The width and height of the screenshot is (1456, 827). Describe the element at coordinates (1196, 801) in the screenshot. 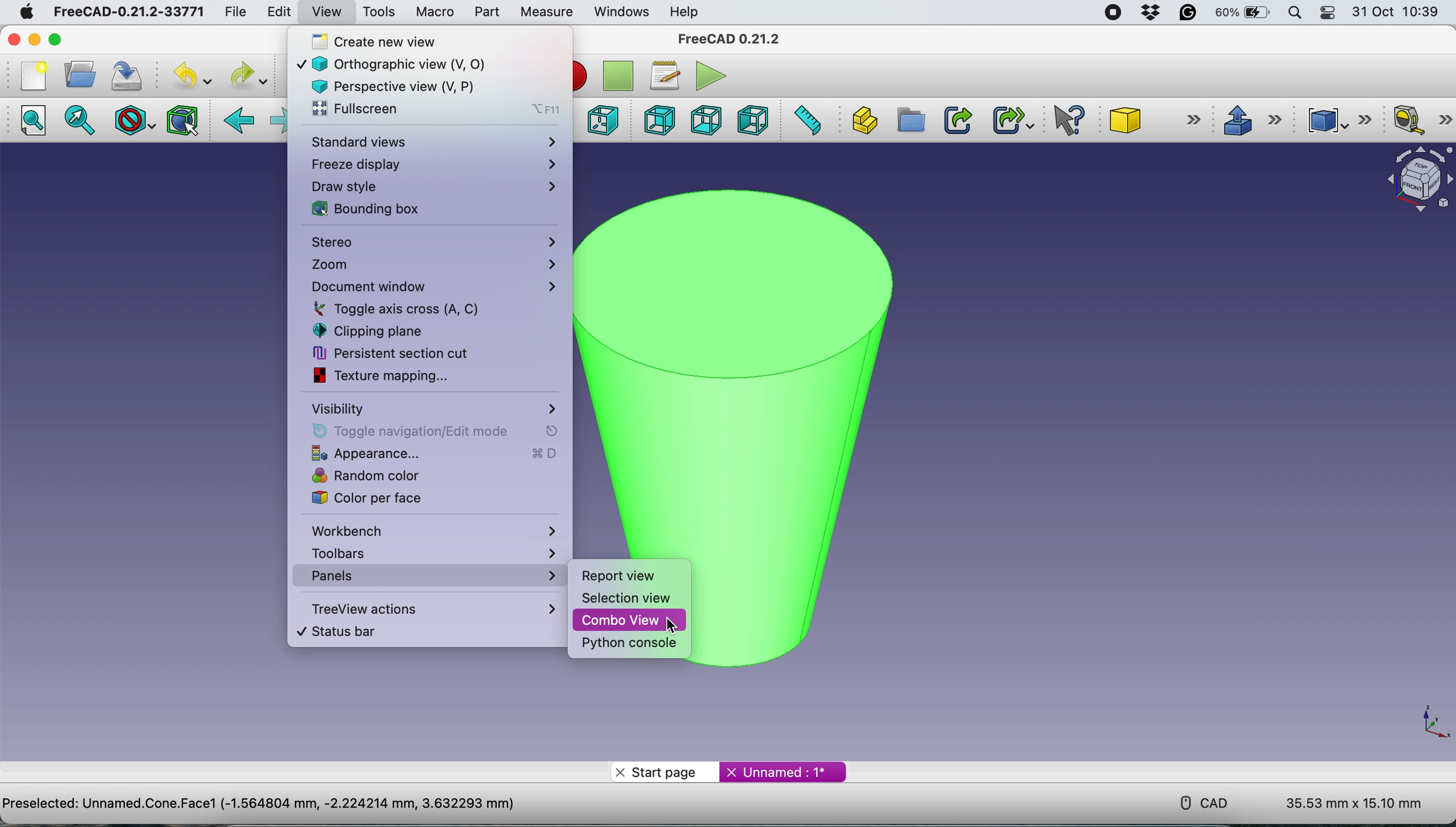

I see `cad` at that location.